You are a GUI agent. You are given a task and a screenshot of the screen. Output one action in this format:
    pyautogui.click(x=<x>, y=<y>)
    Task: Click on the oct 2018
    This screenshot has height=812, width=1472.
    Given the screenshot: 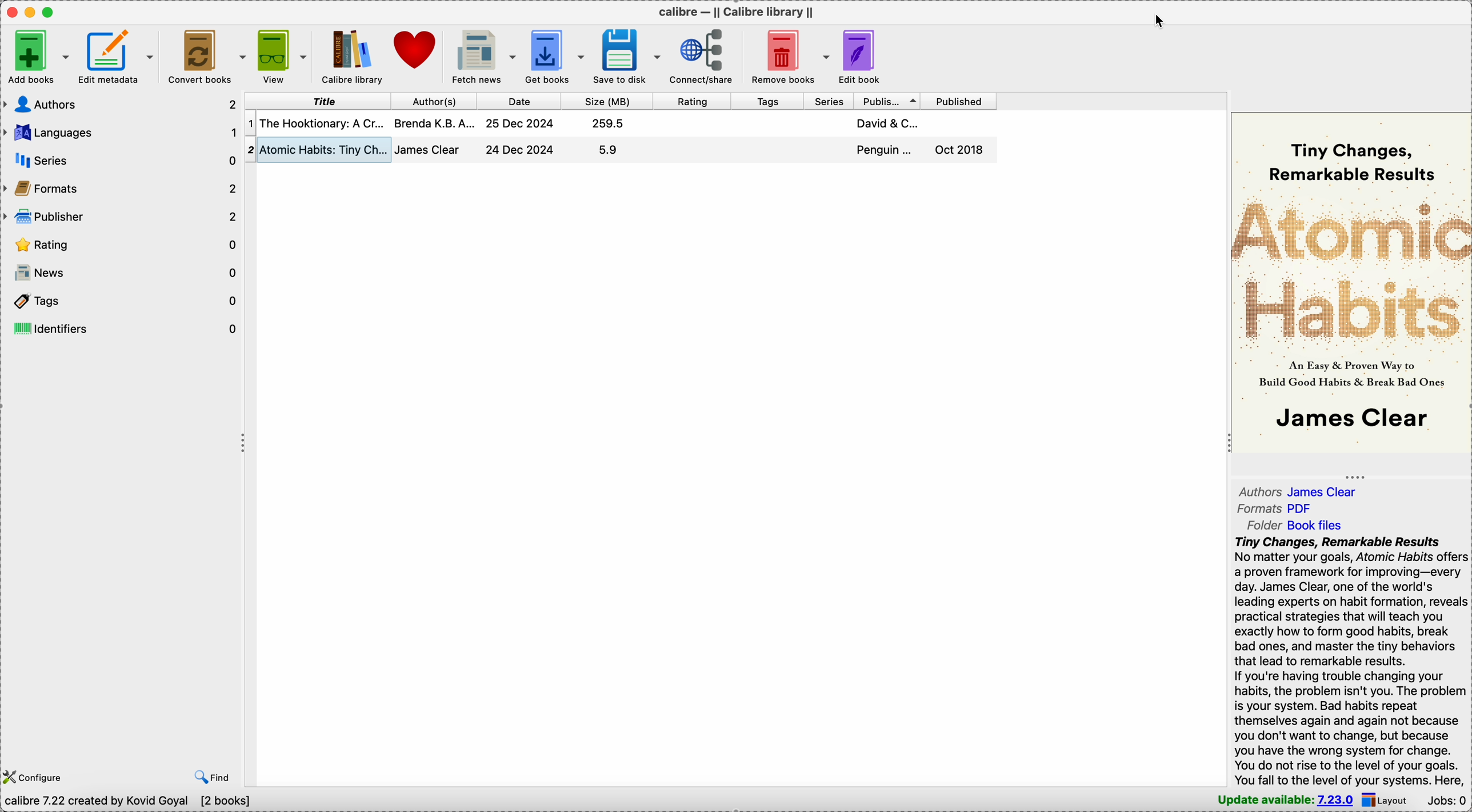 What is the action you would take?
    pyautogui.click(x=959, y=150)
    